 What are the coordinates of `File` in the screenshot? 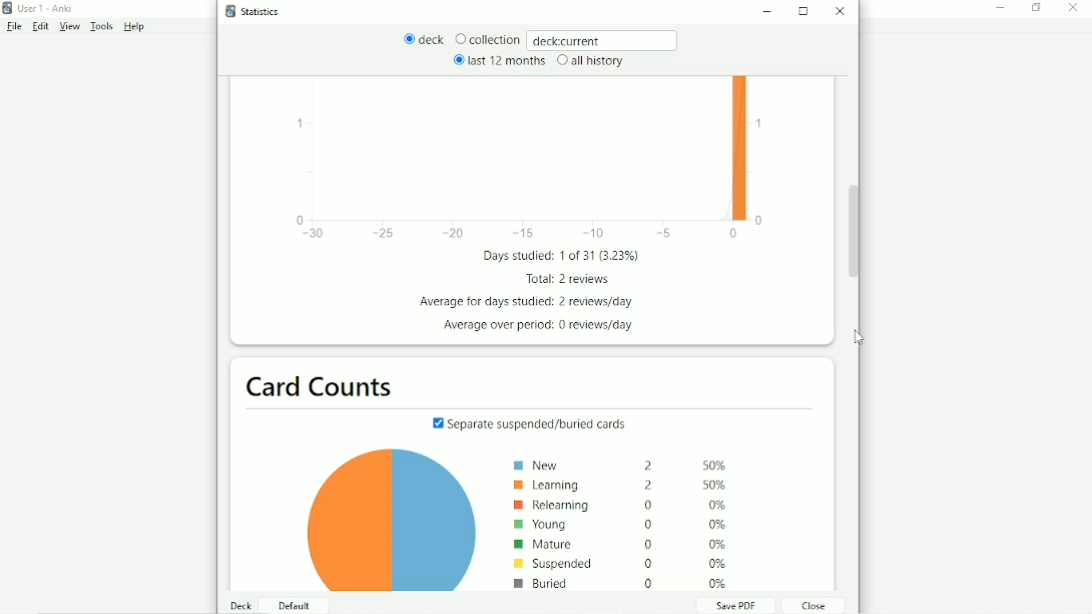 It's located at (13, 27).